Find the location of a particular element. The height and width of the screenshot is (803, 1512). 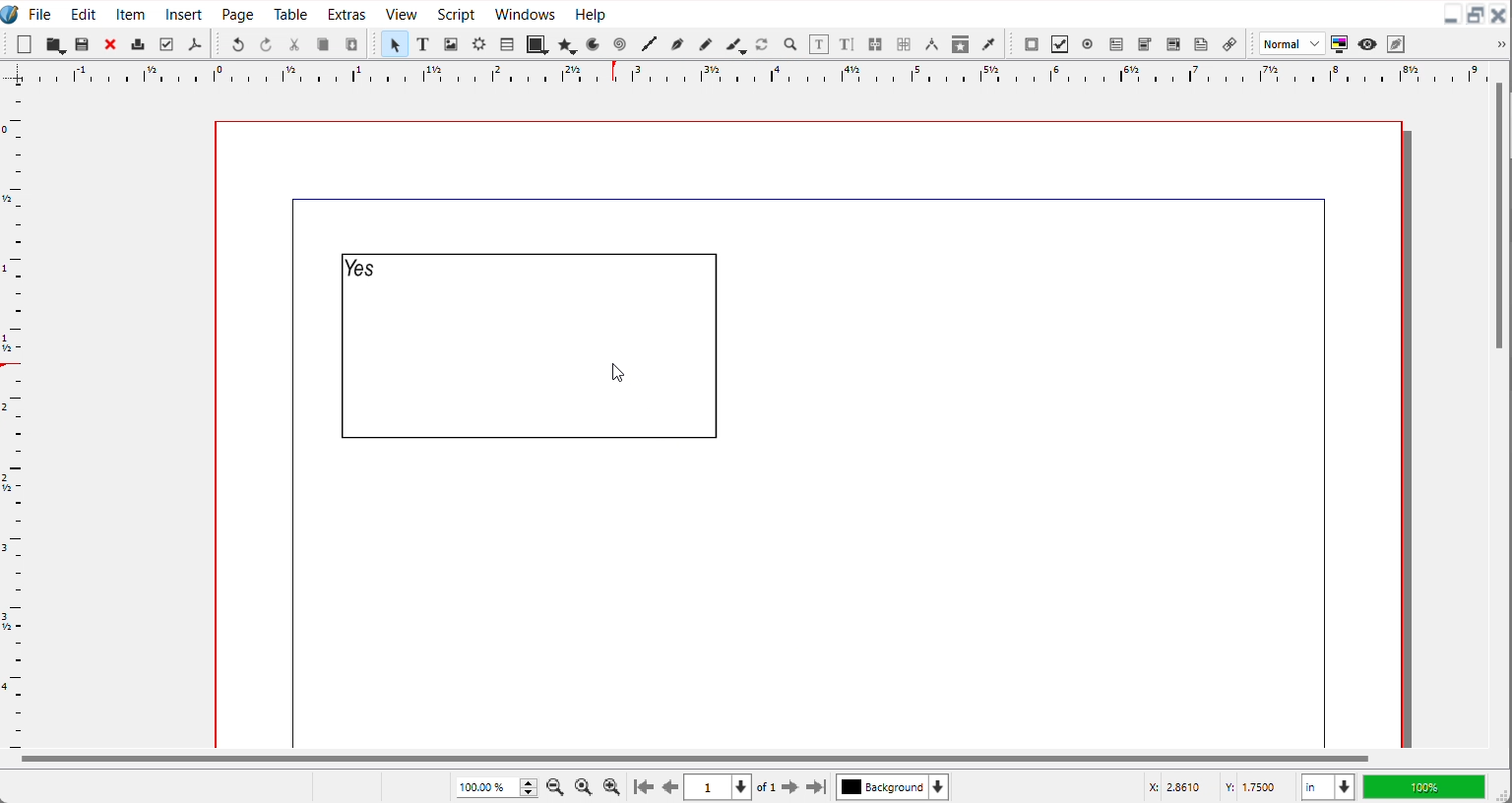

Cut is located at coordinates (294, 44).